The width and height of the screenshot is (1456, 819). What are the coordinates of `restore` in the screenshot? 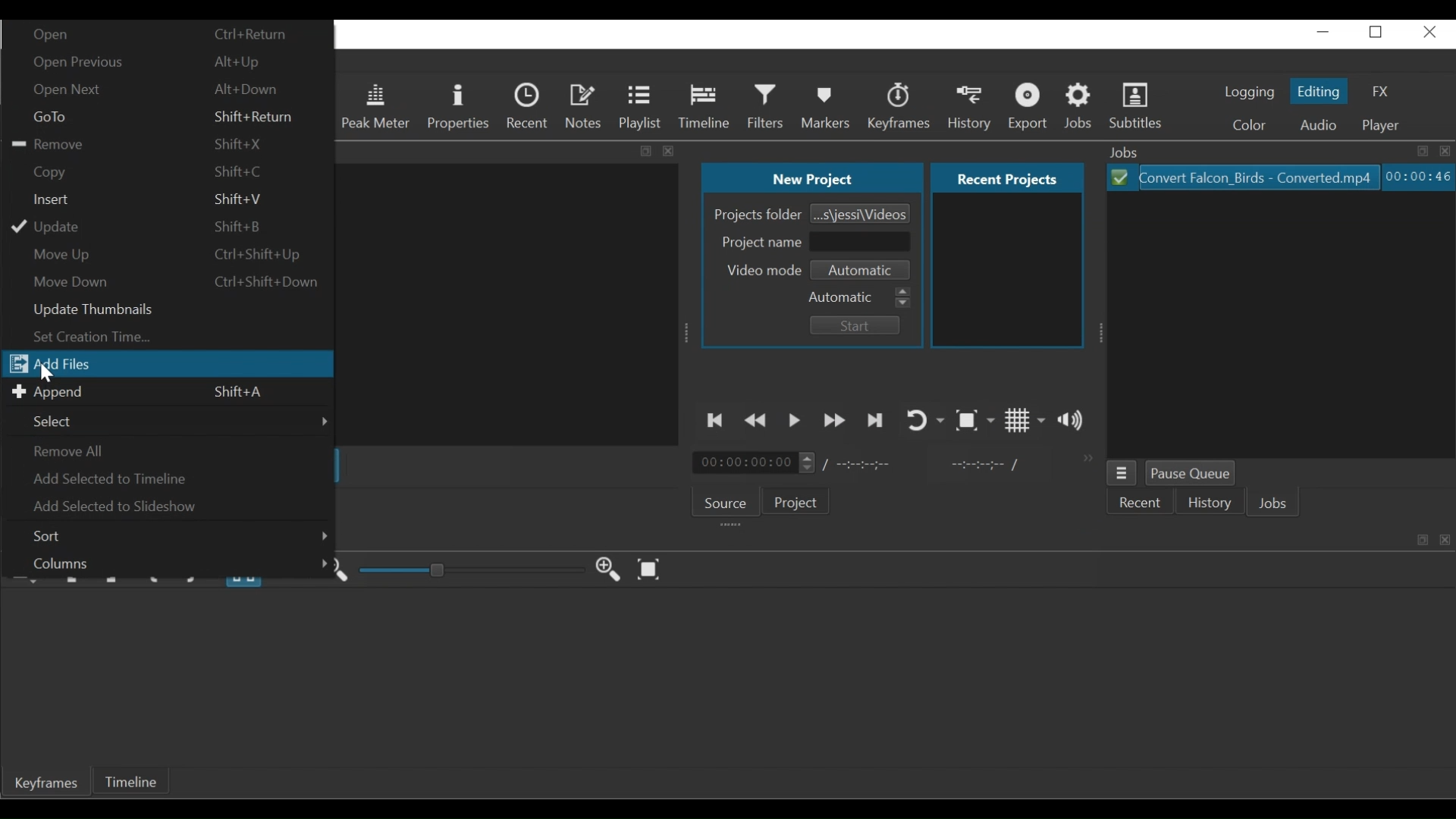 It's located at (1375, 33).